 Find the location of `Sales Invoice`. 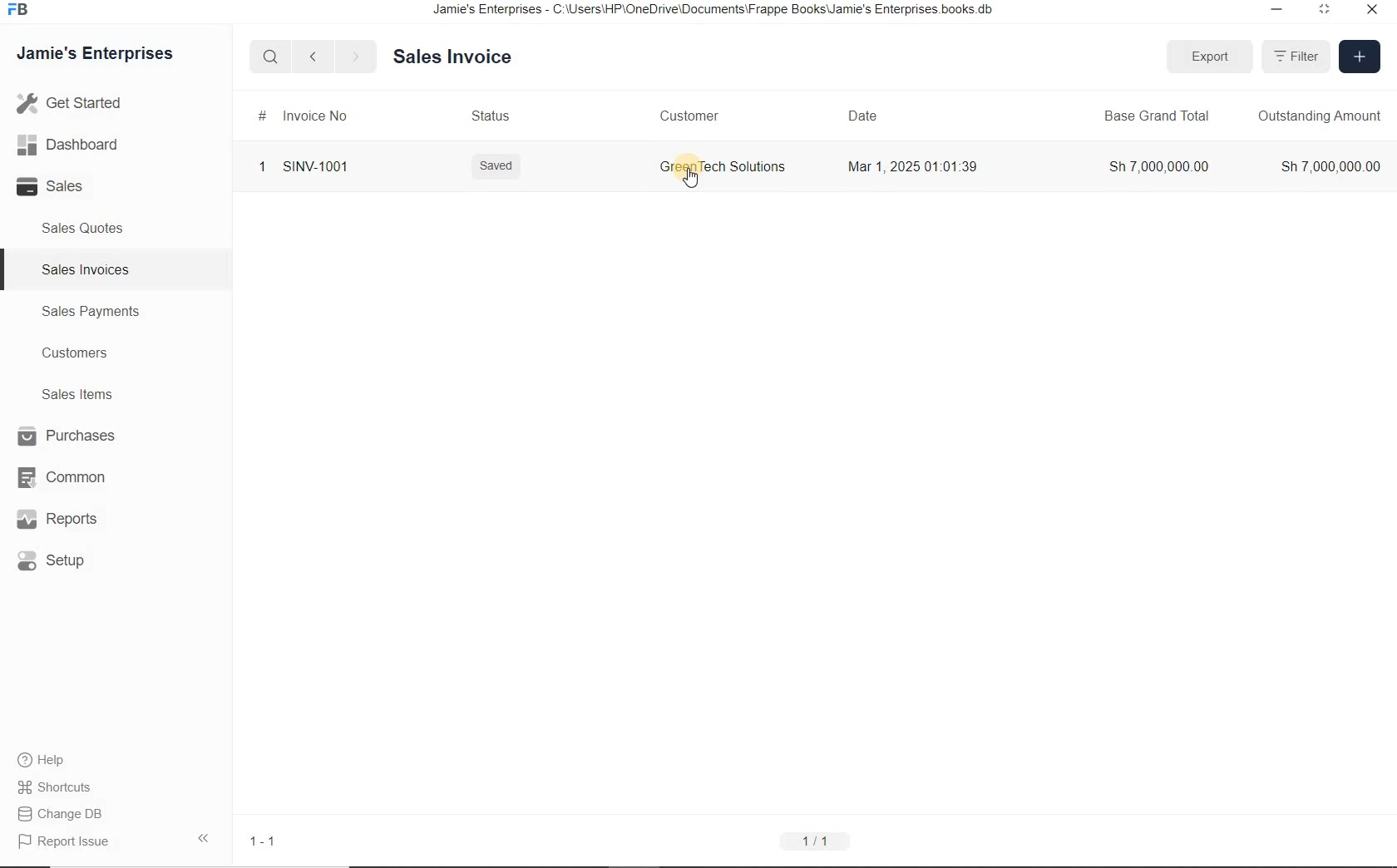

Sales Invoice is located at coordinates (454, 57).